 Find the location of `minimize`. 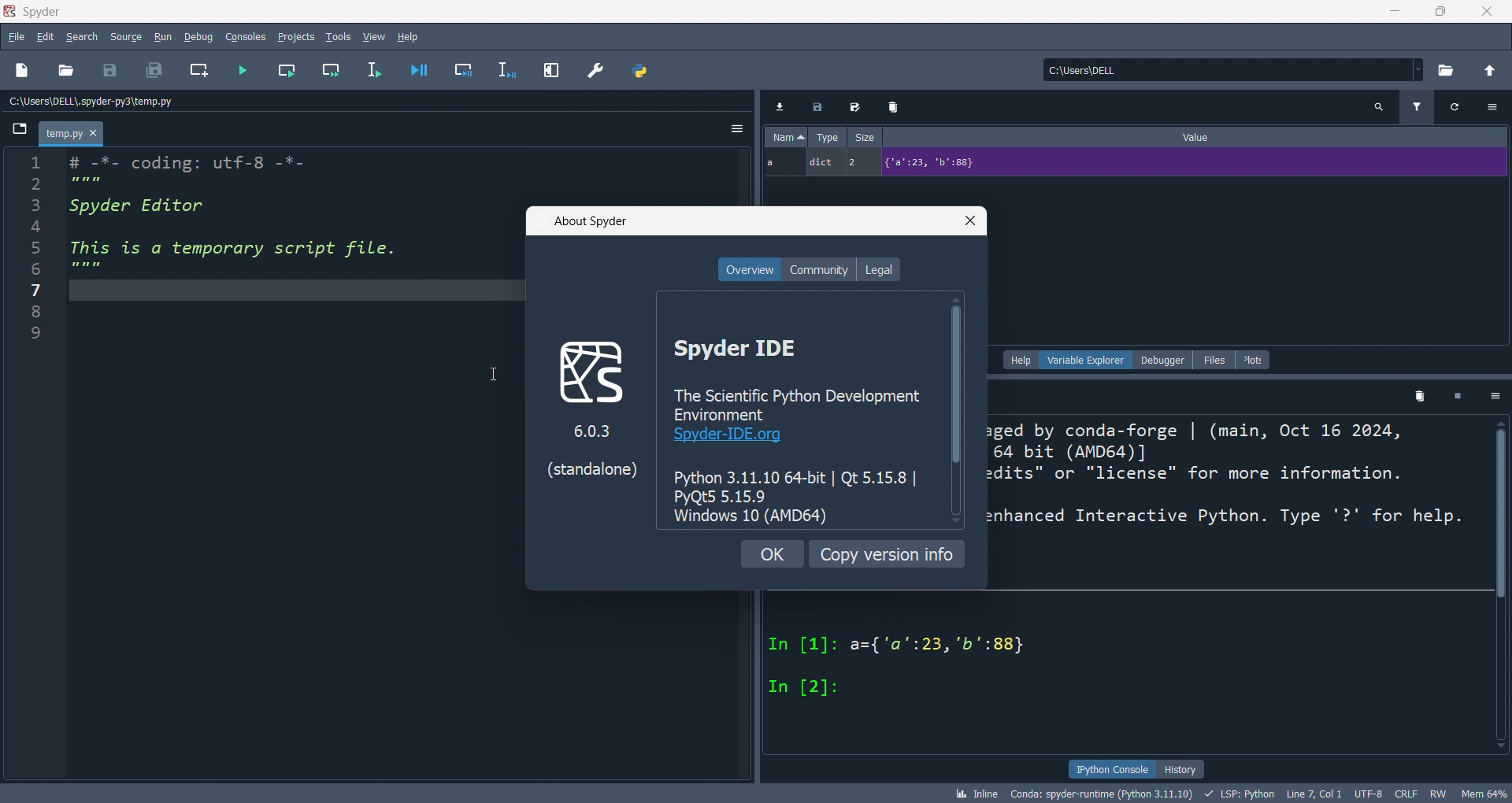

minimize is located at coordinates (1392, 12).